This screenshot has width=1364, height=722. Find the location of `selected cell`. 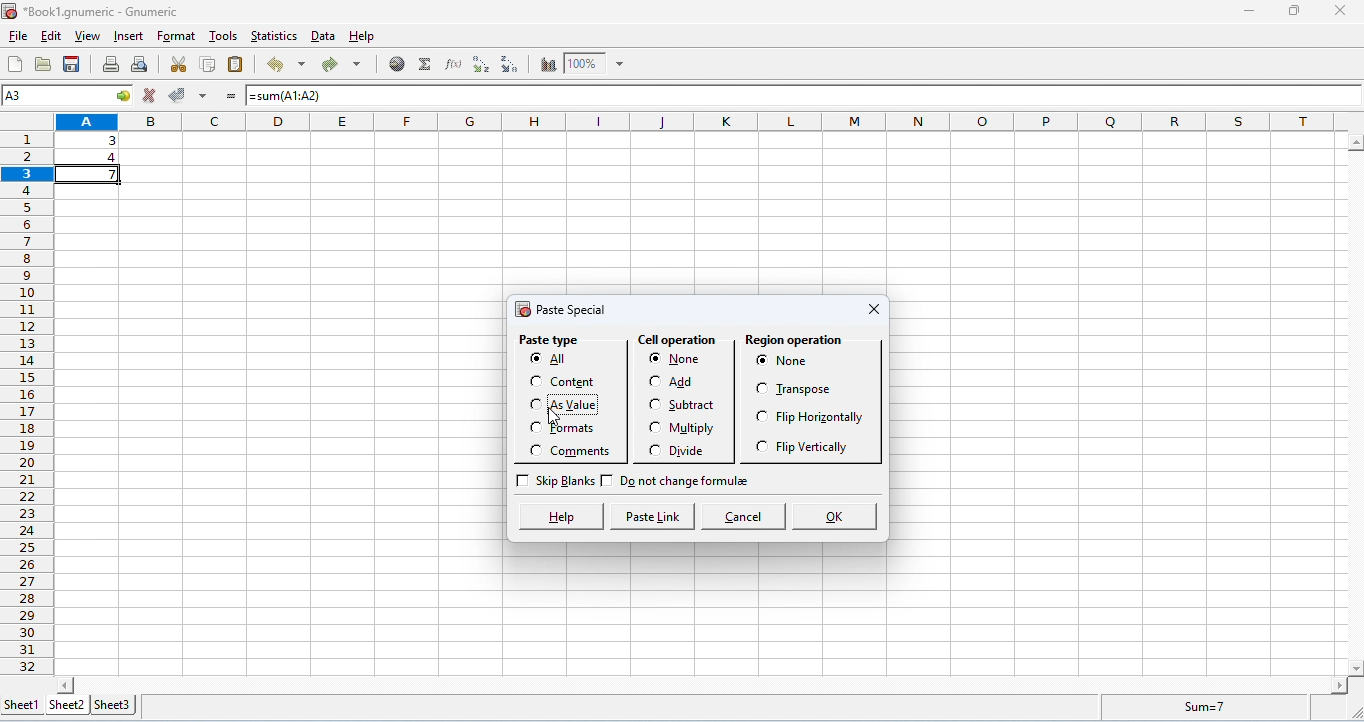

selected cell is located at coordinates (67, 97).